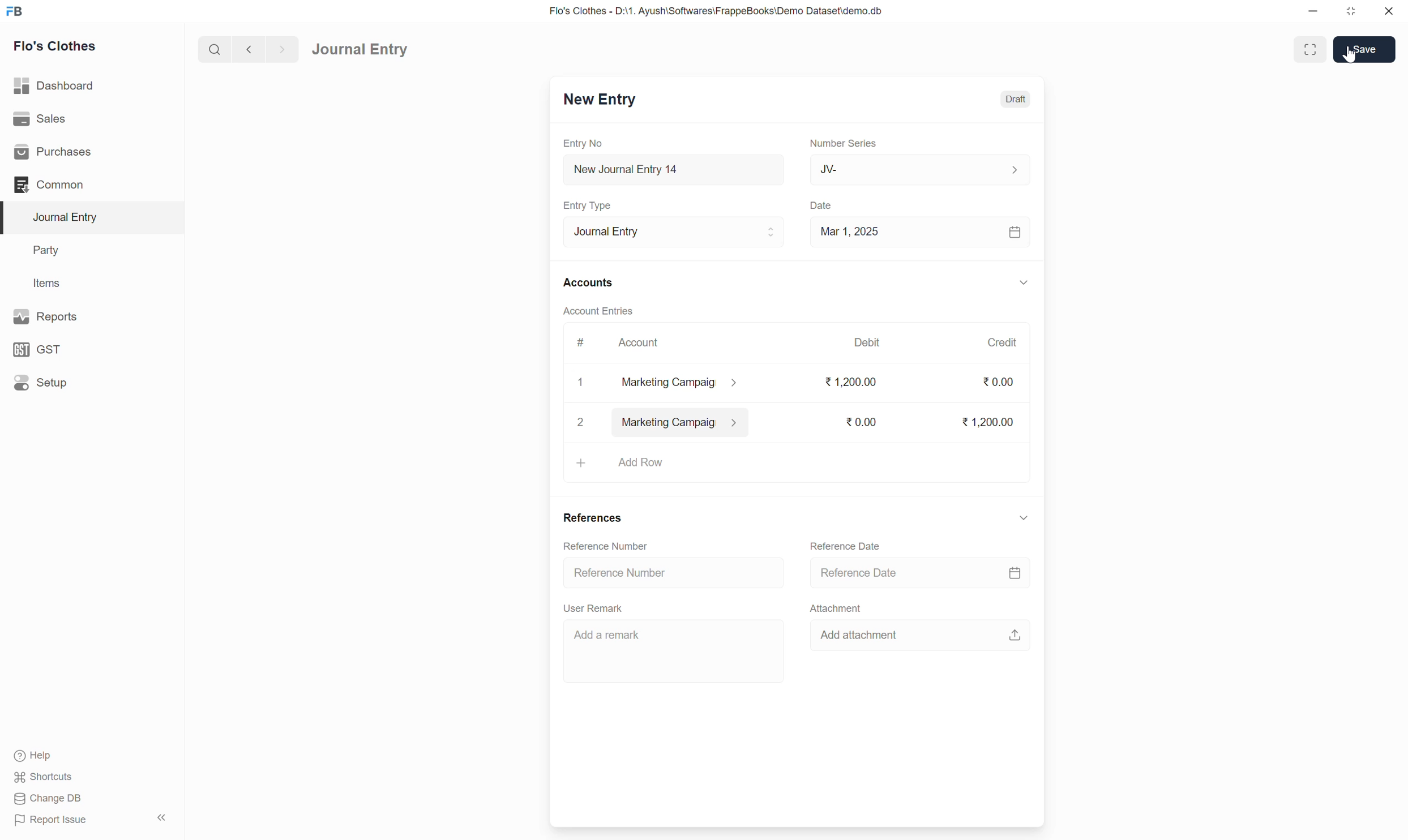 The image size is (1408, 840). I want to click on Draft, so click(1017, 98).